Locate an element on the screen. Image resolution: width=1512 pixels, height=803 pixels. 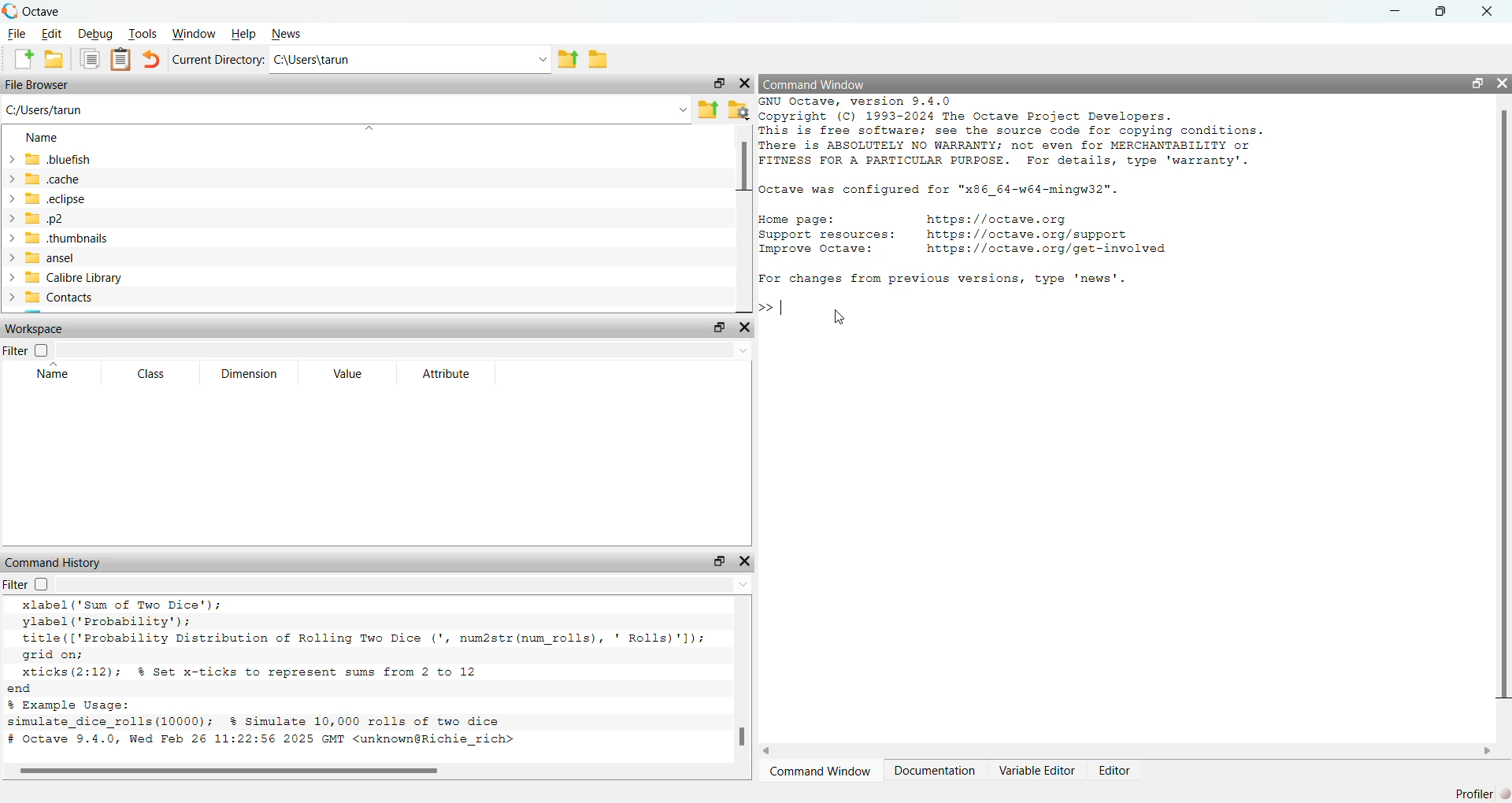
Dimension is located at coordinates (247, 374).